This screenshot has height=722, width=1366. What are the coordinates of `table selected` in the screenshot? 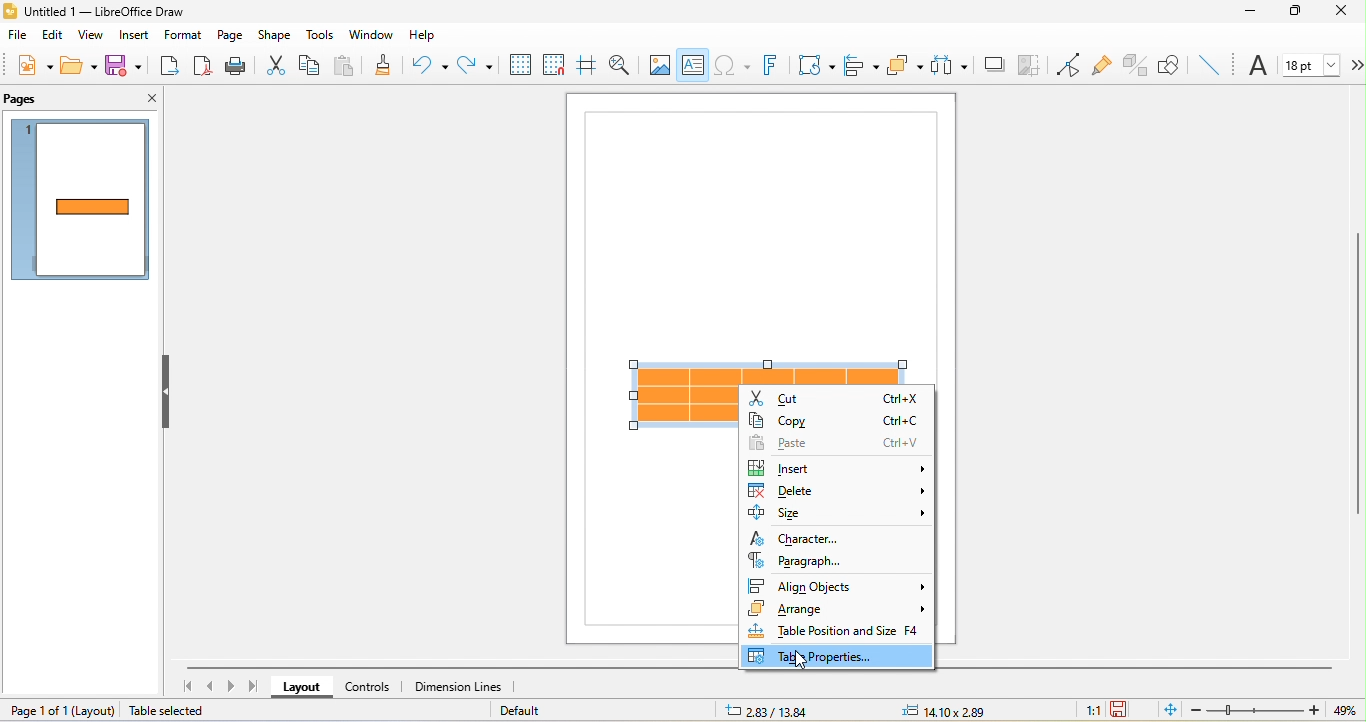 It's located at (170, 712).